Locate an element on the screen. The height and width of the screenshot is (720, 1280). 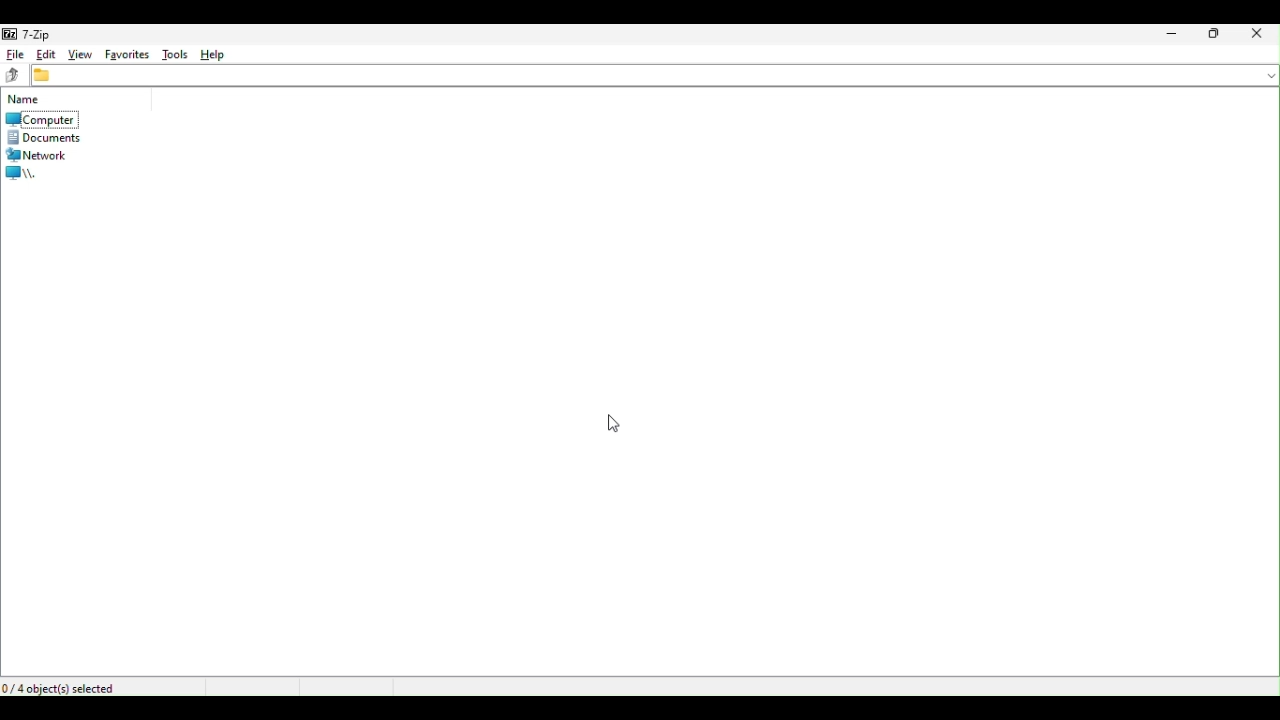
Restore is located at coordinates (1213, 34).